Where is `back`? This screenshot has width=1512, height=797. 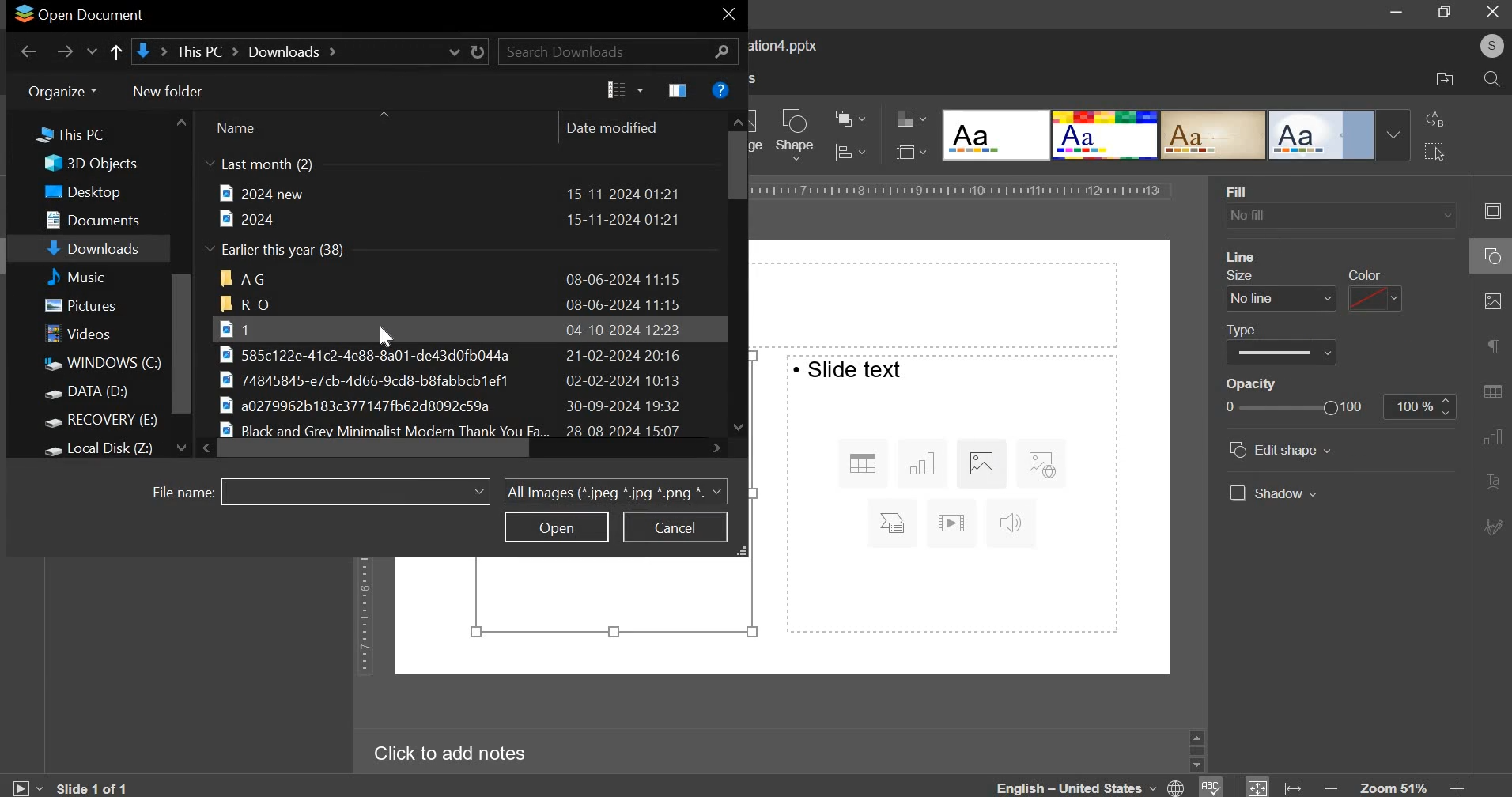
back is located at coordinates (29, 51).